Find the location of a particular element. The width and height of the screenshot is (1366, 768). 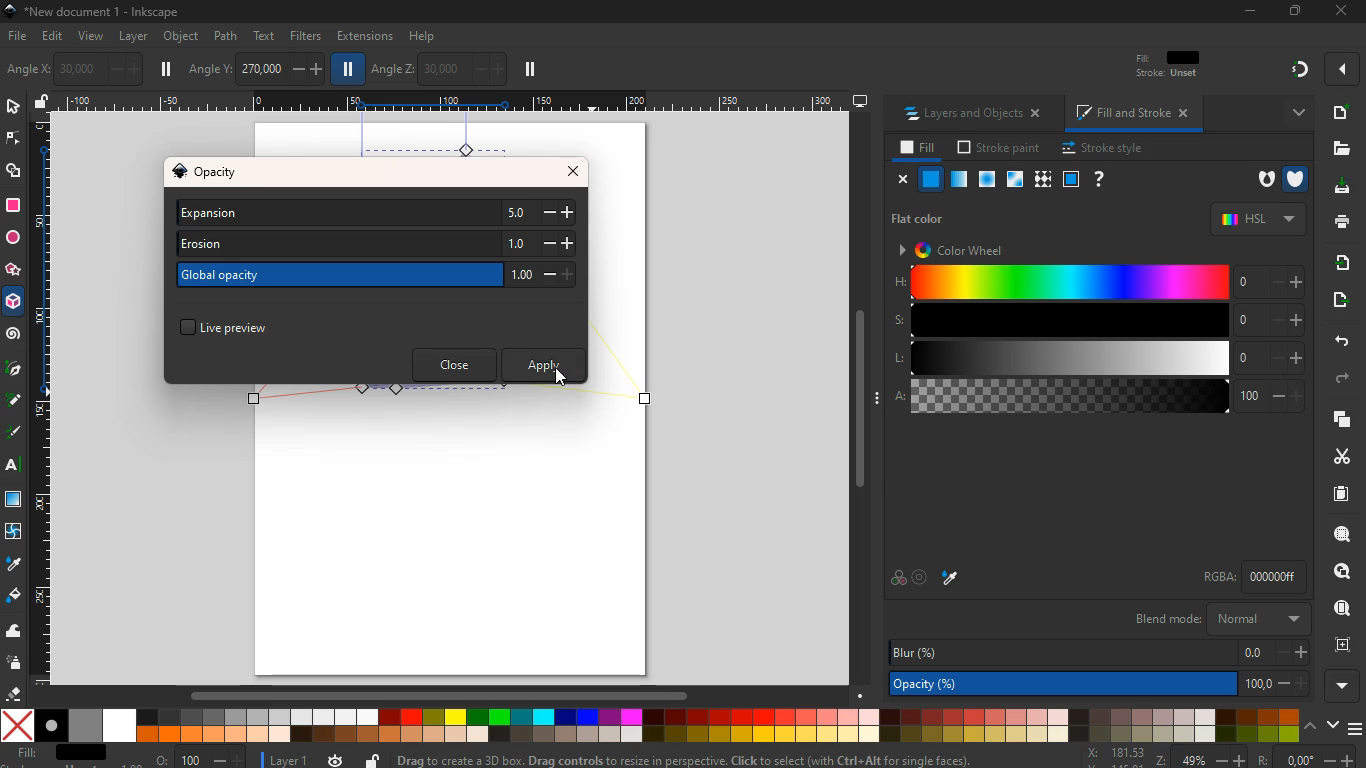

draw is located at coordinates (14, 436).